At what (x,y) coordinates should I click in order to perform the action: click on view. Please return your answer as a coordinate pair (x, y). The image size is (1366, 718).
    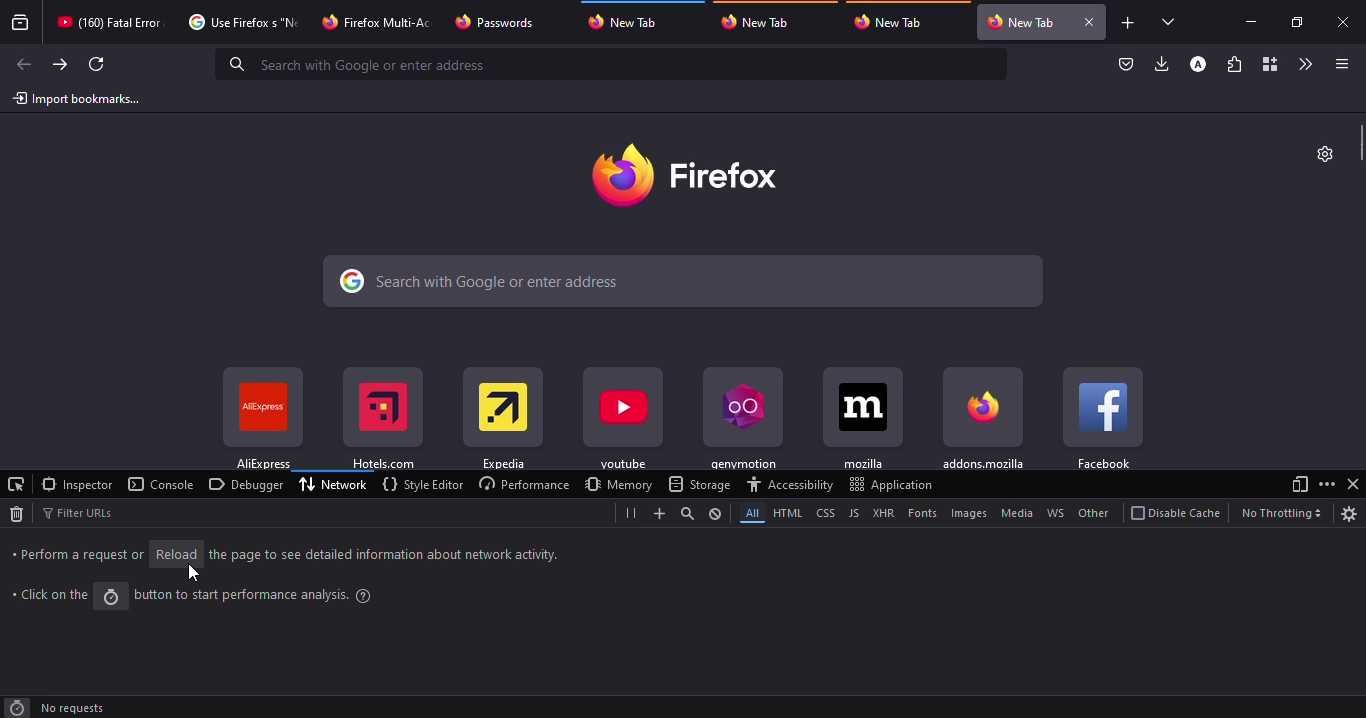
    Looking at the image, I should click on (1297, 484).